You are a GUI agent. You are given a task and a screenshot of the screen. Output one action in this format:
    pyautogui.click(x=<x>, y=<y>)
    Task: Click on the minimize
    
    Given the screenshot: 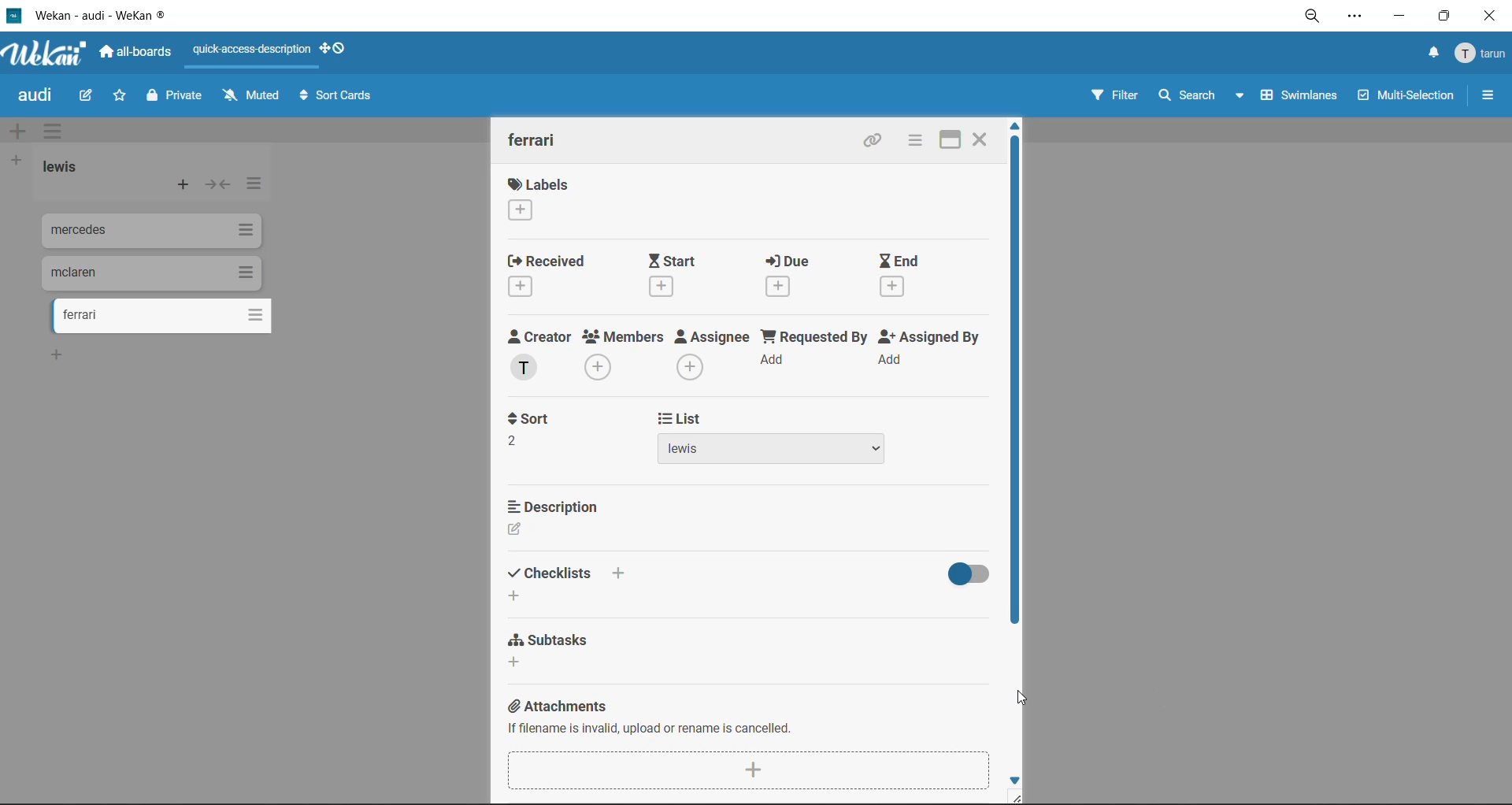 What is the action you would take?
    pyautogui.click(x=1398, y=17)
    